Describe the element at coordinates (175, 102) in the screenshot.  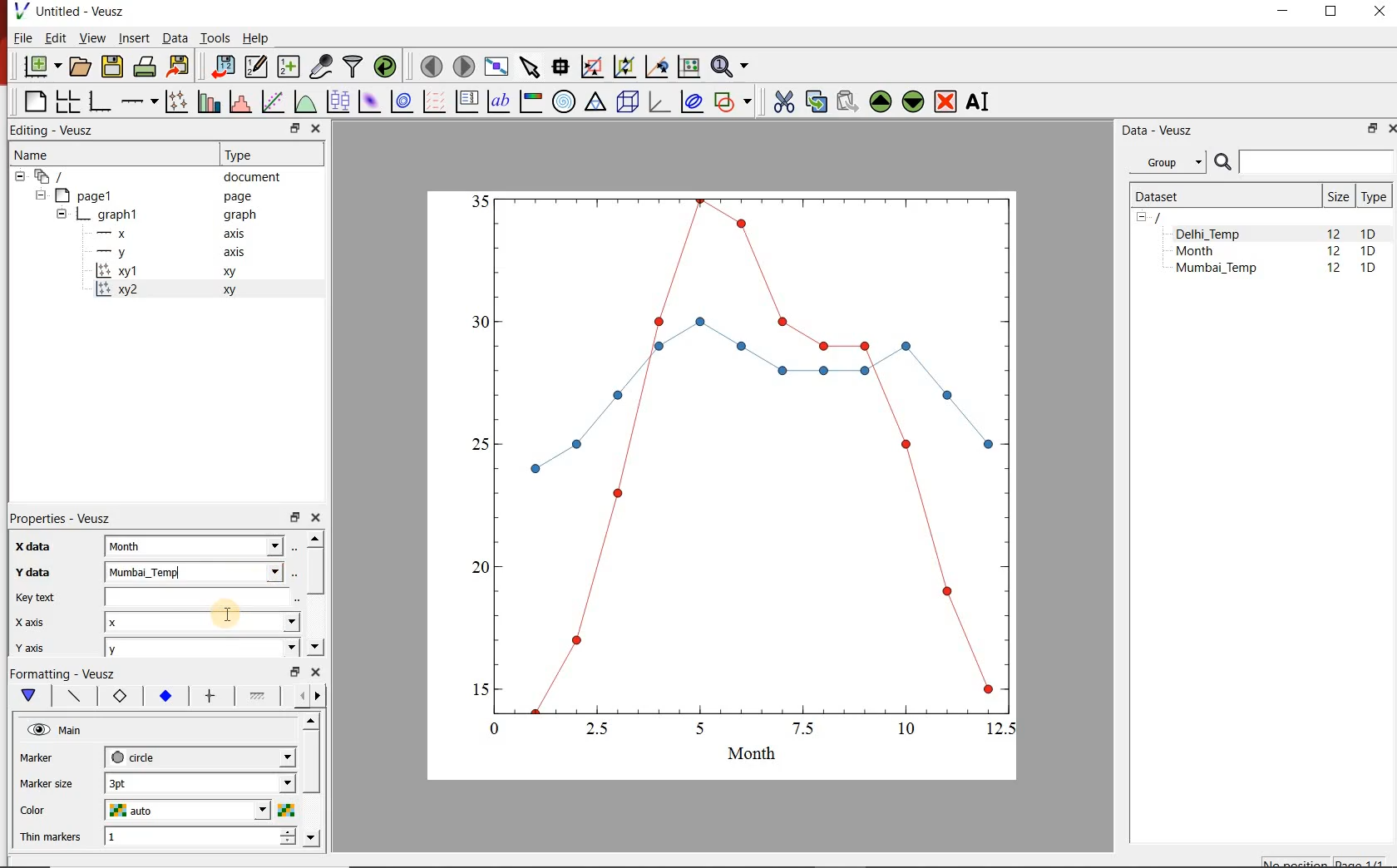
I see `plot points with lines and errorbars` at that location.